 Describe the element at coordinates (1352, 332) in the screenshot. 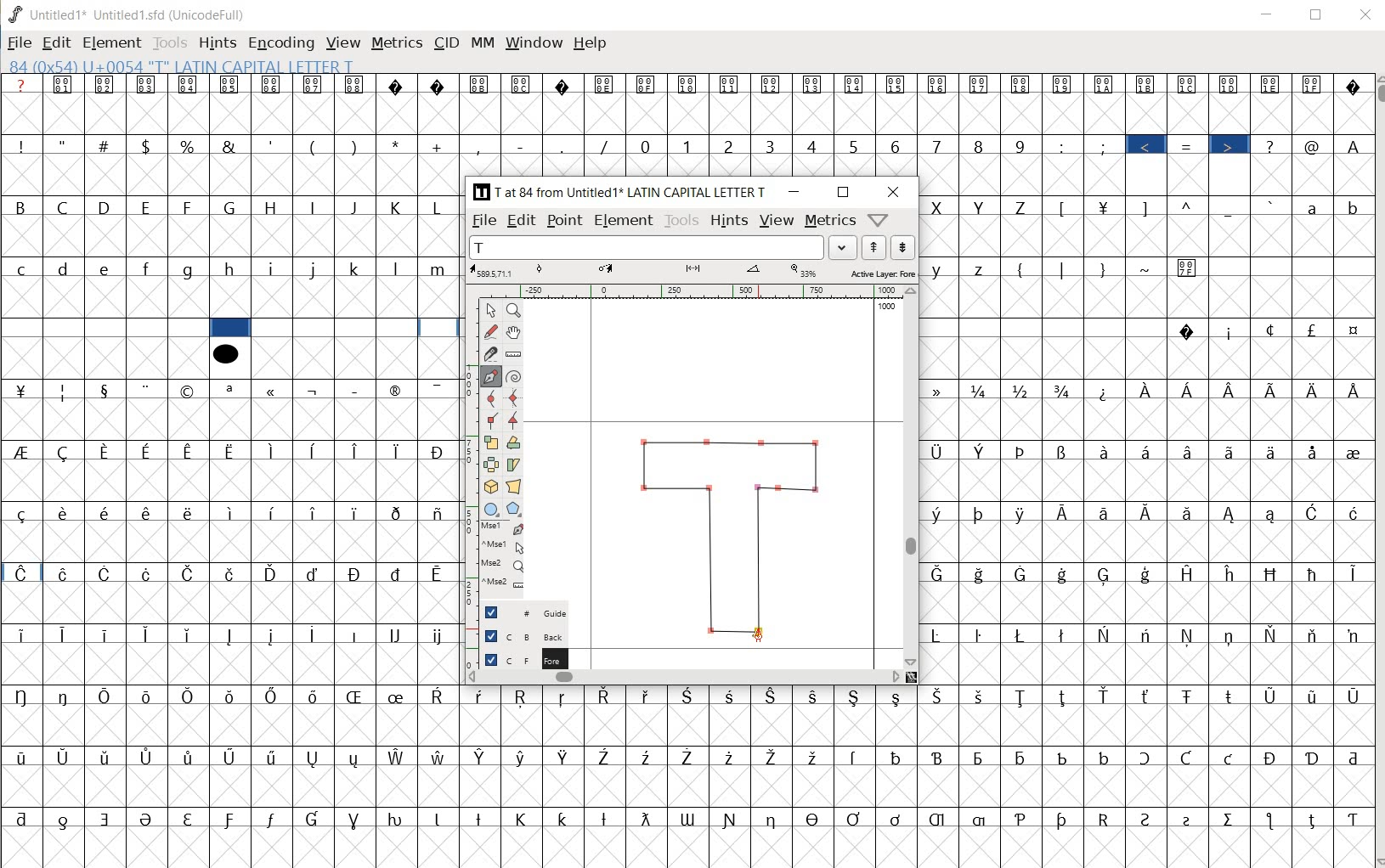

I see `Symbol` at that location.